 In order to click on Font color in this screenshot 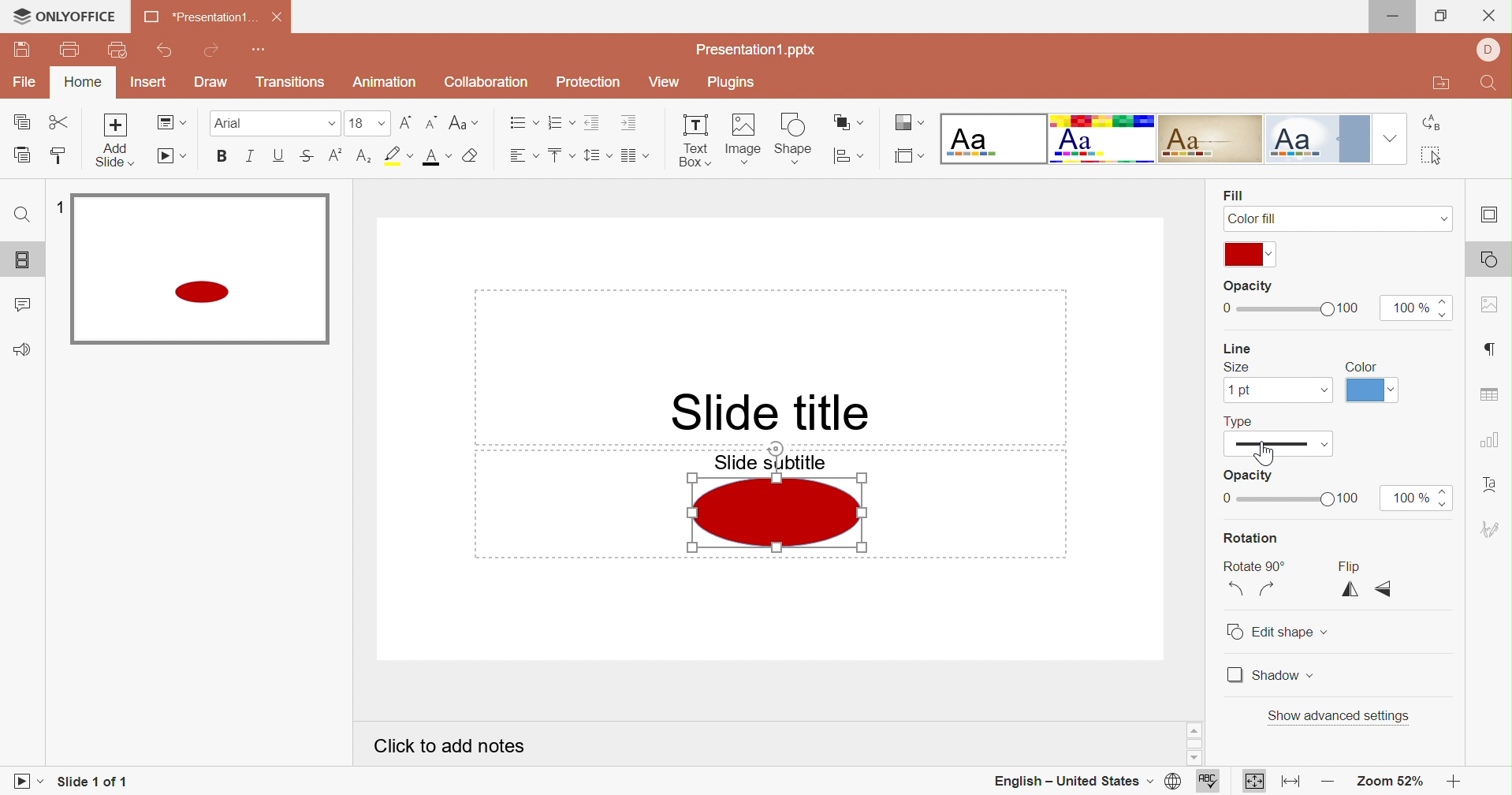, I will do `click(436, 157)`.